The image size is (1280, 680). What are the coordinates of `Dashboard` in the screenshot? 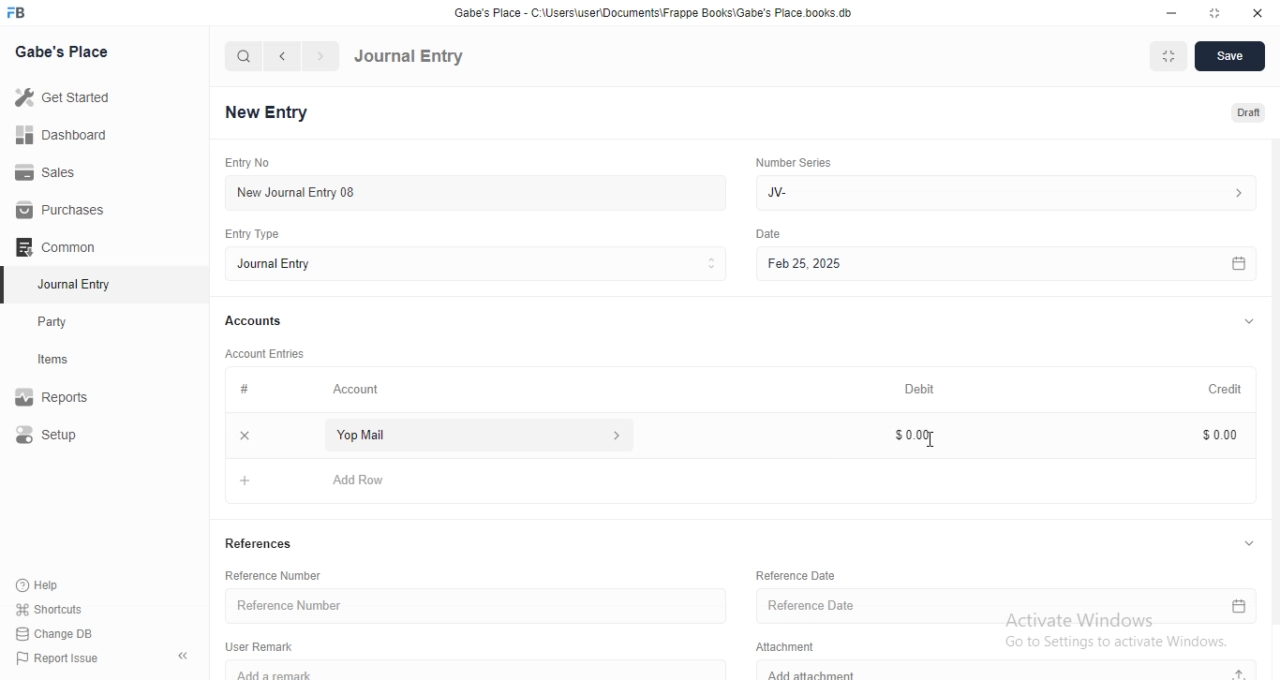 It's located at (61, 138).